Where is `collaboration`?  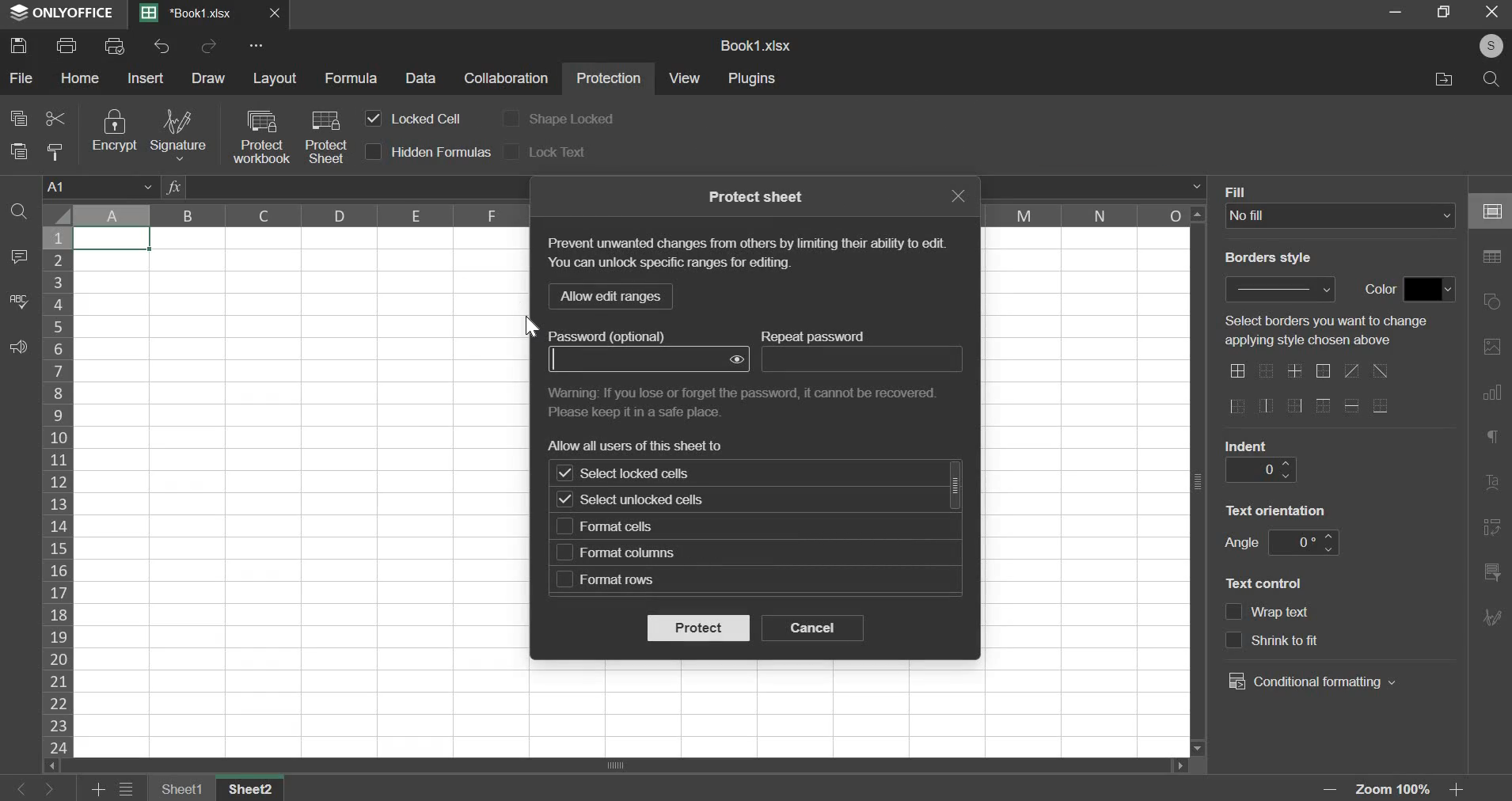 collaboration is located at coordinates (507, 79).